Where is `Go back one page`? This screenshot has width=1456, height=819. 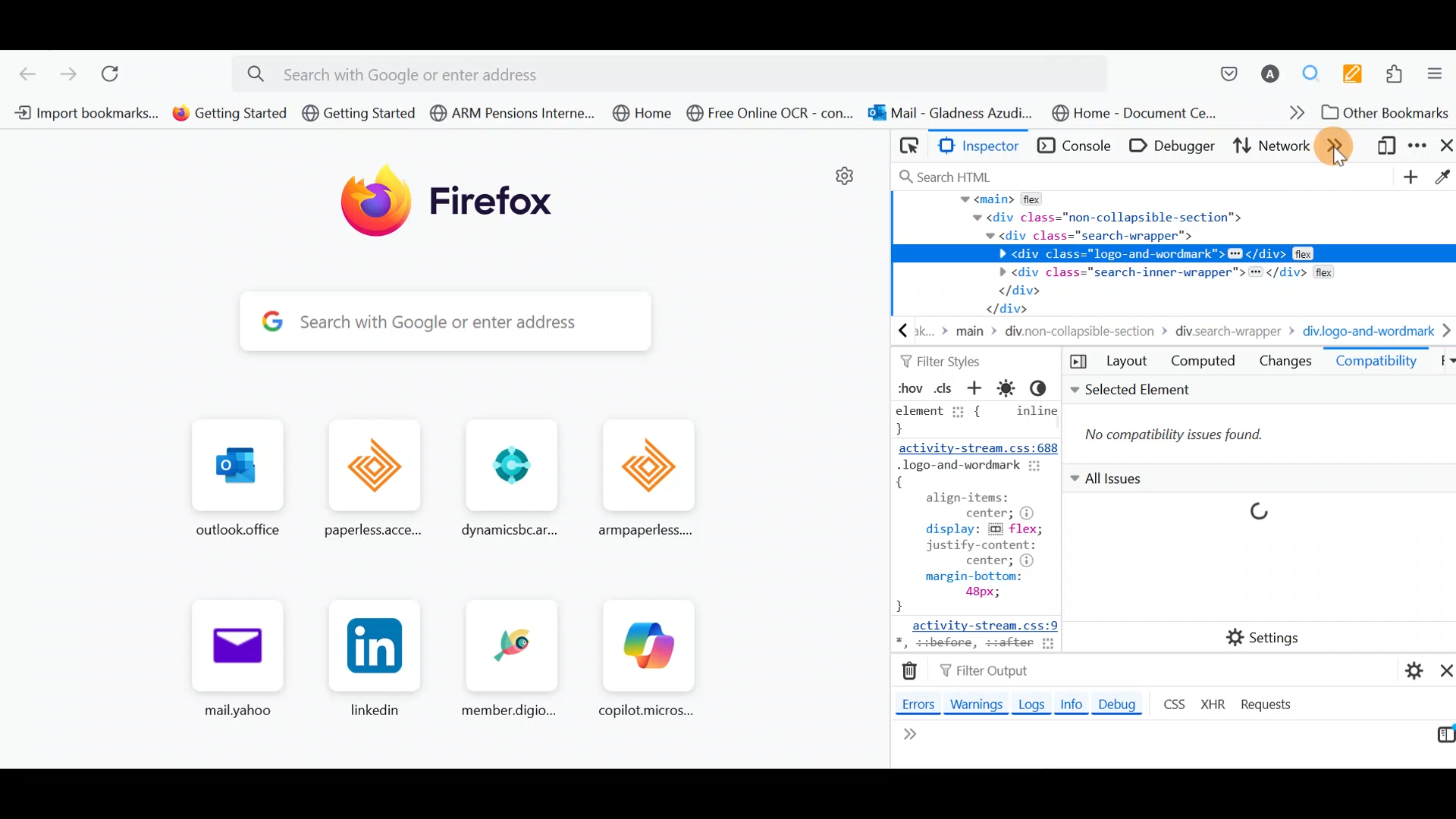 Go back one page is located at coordinates (22, 73).